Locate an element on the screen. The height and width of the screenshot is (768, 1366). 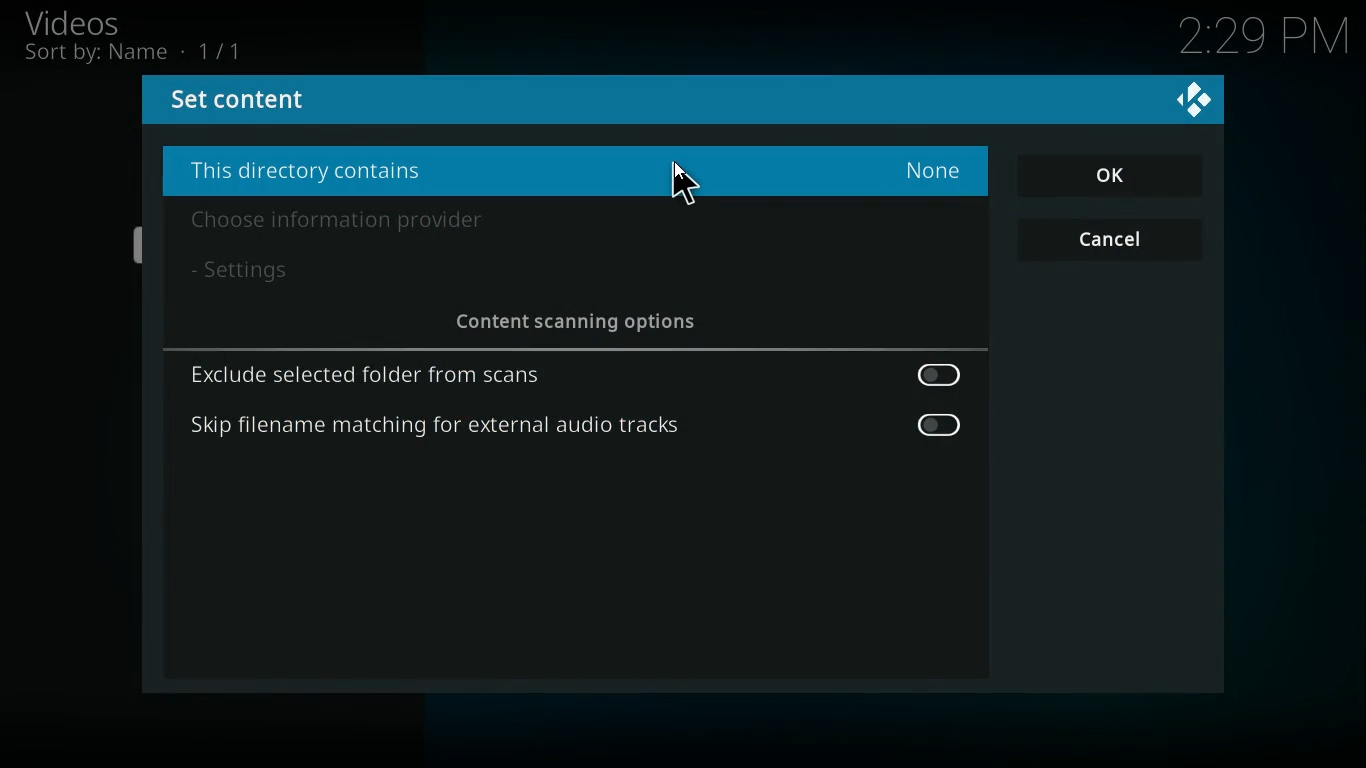
set content is located at coordinates (250, 98).